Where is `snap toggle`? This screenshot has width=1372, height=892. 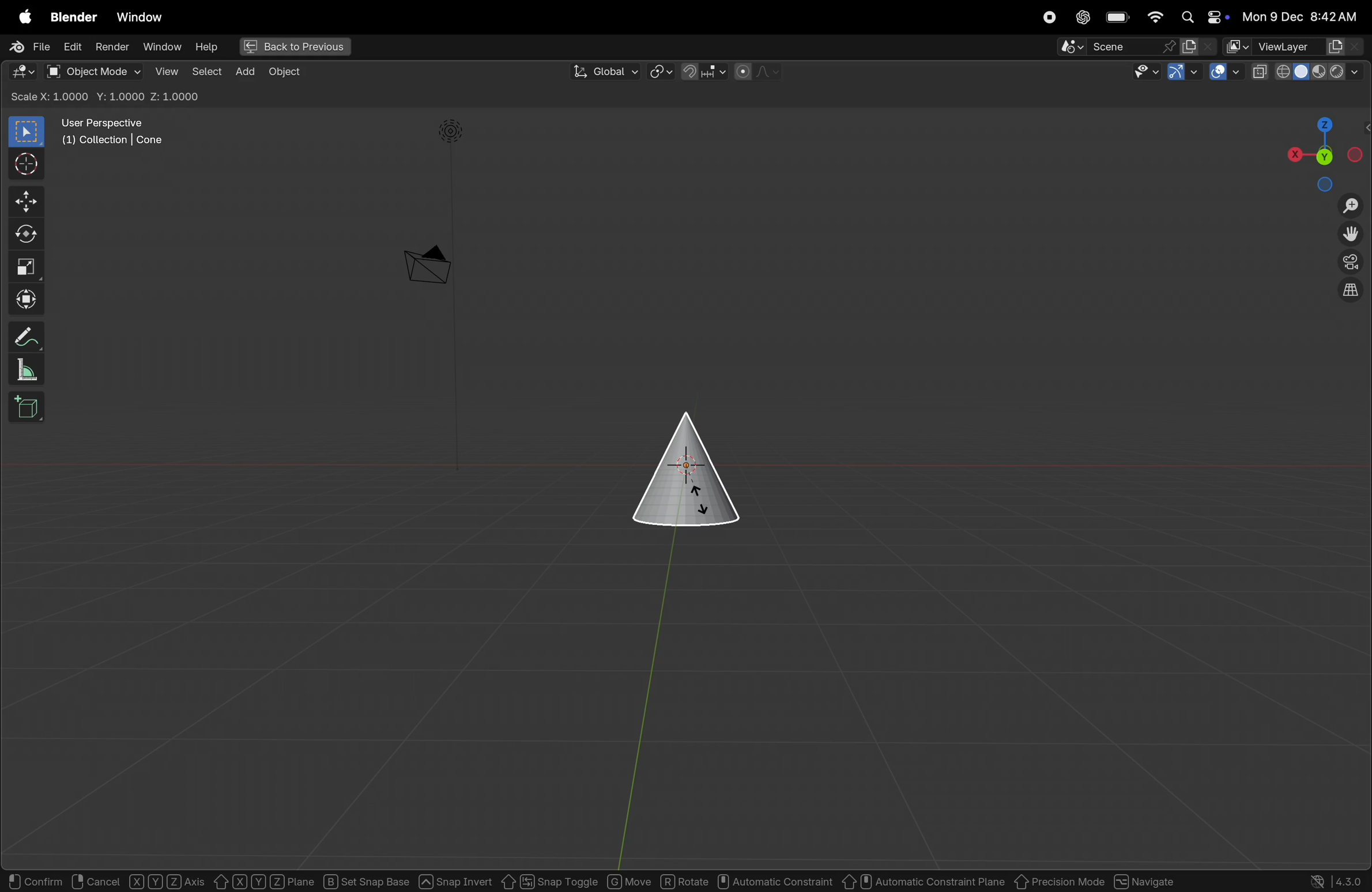 snap toggle is located at coordinates (549, 879).